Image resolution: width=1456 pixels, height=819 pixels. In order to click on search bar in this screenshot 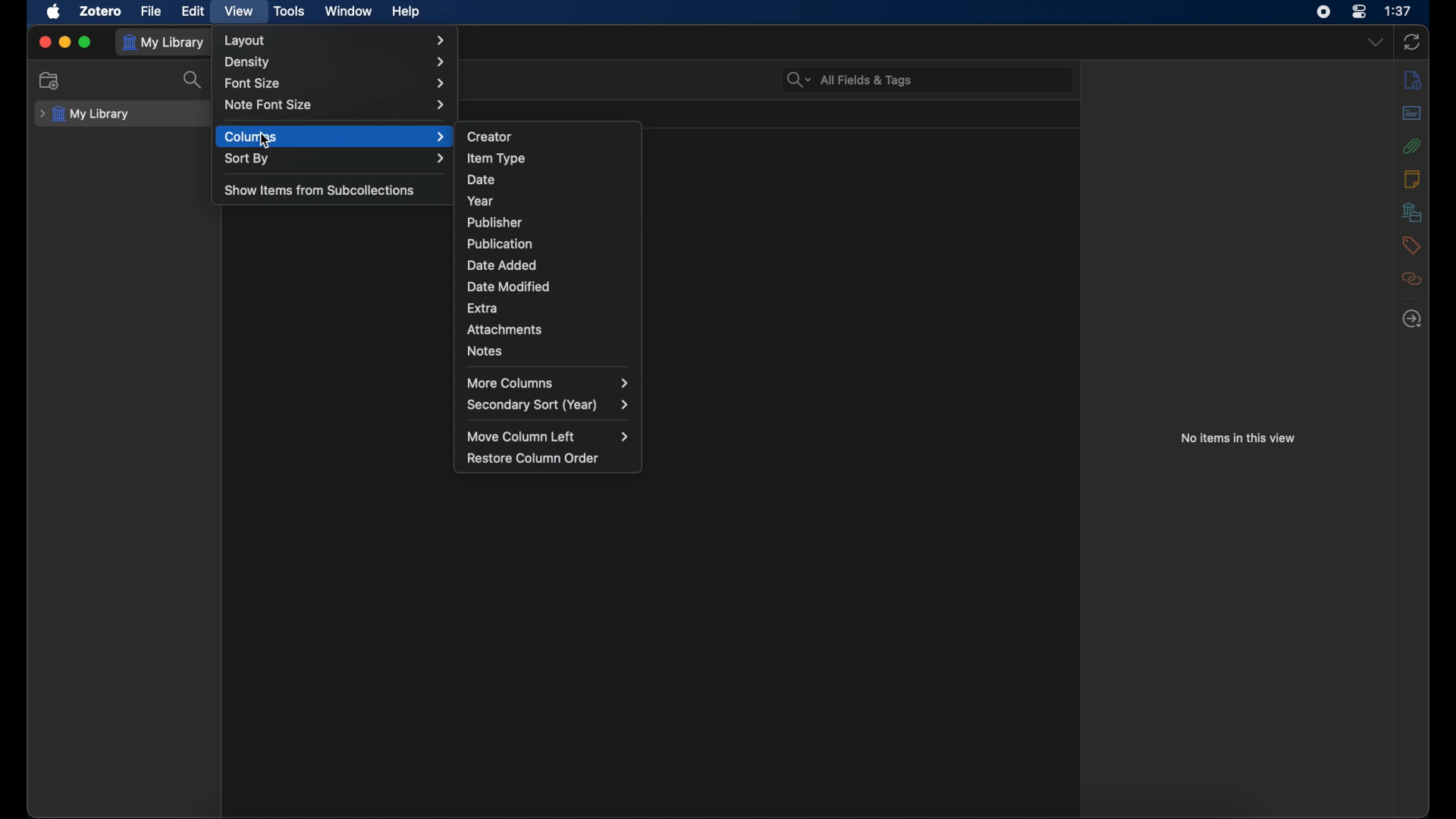, I will do `click(850, 80)`.